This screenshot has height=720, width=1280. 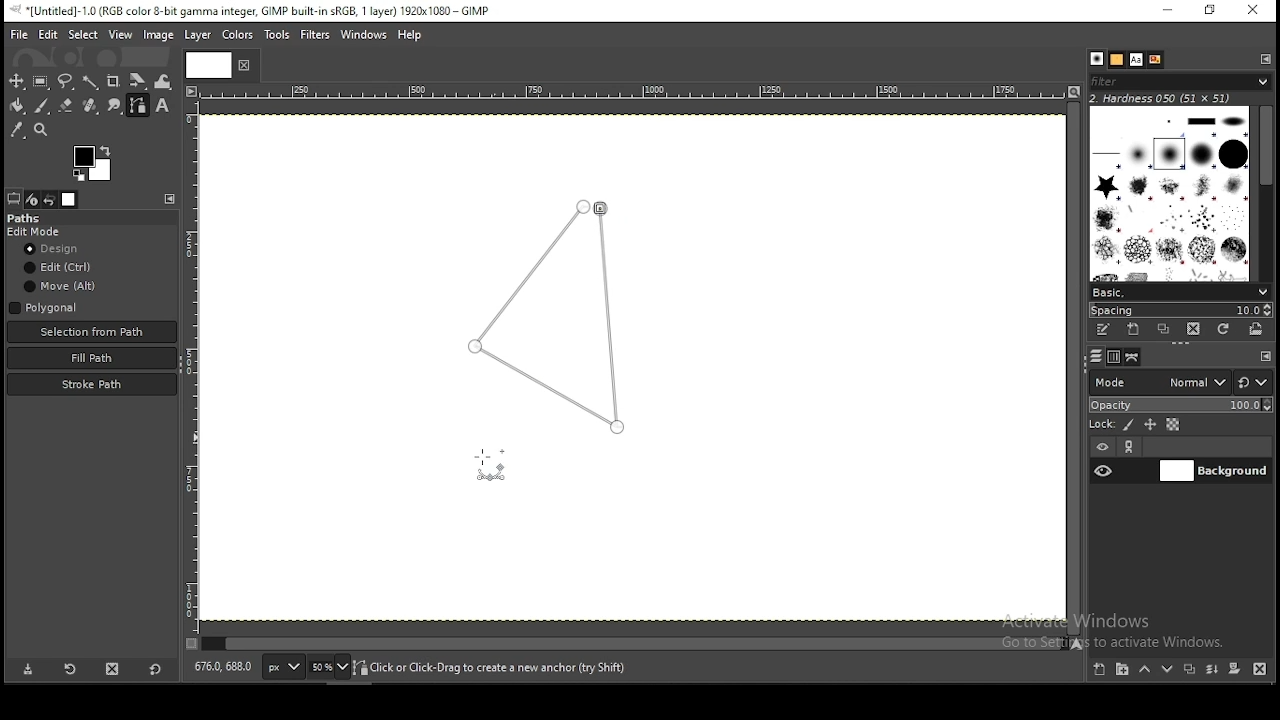 I want to click on create a new layer, so click(x=1099, y=670).